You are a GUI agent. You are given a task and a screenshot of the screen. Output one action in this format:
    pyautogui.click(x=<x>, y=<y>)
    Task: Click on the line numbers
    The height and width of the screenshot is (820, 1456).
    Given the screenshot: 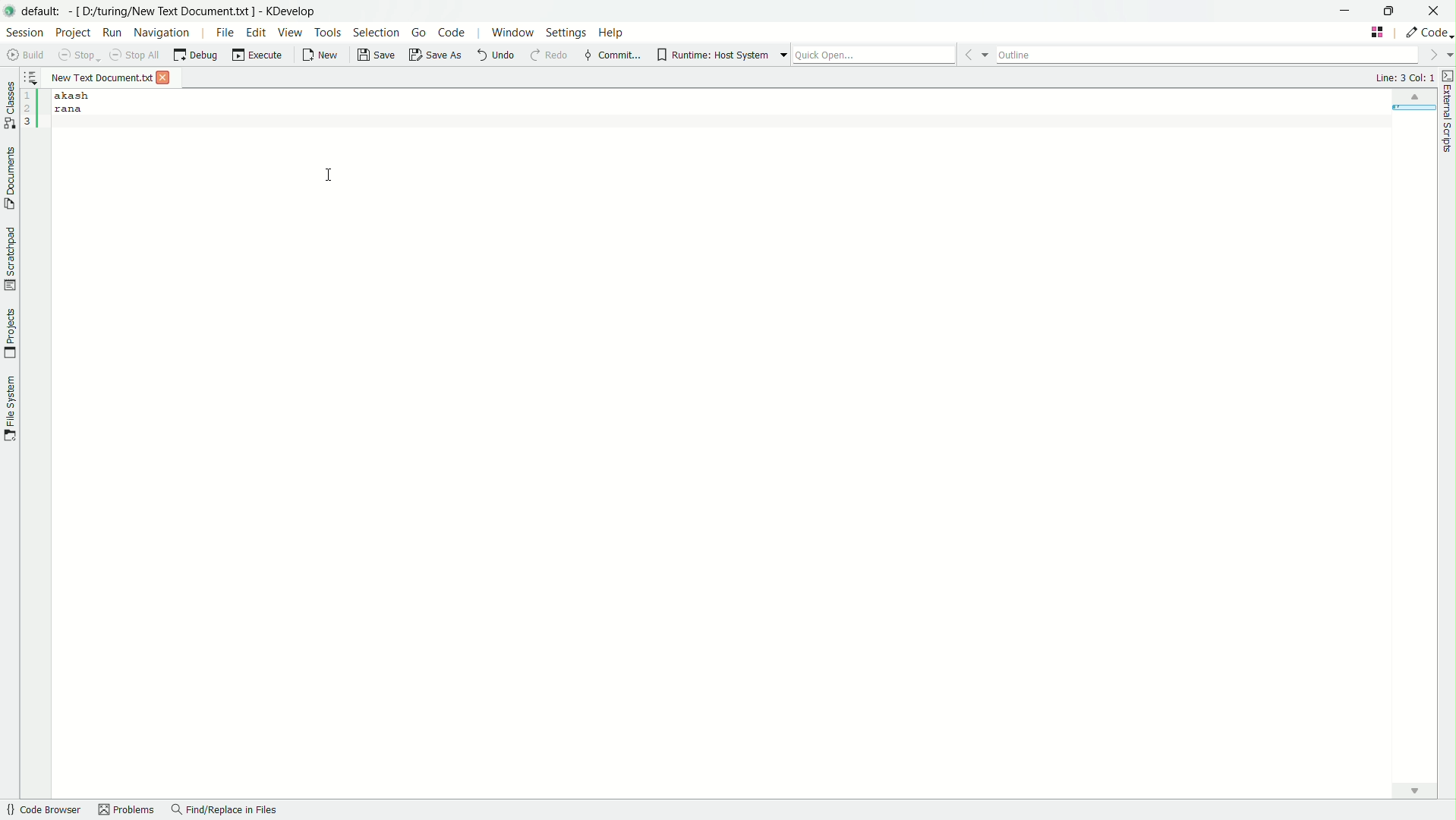 What is the action you would take?
    pyautogui.click(x=30, y=109)
    